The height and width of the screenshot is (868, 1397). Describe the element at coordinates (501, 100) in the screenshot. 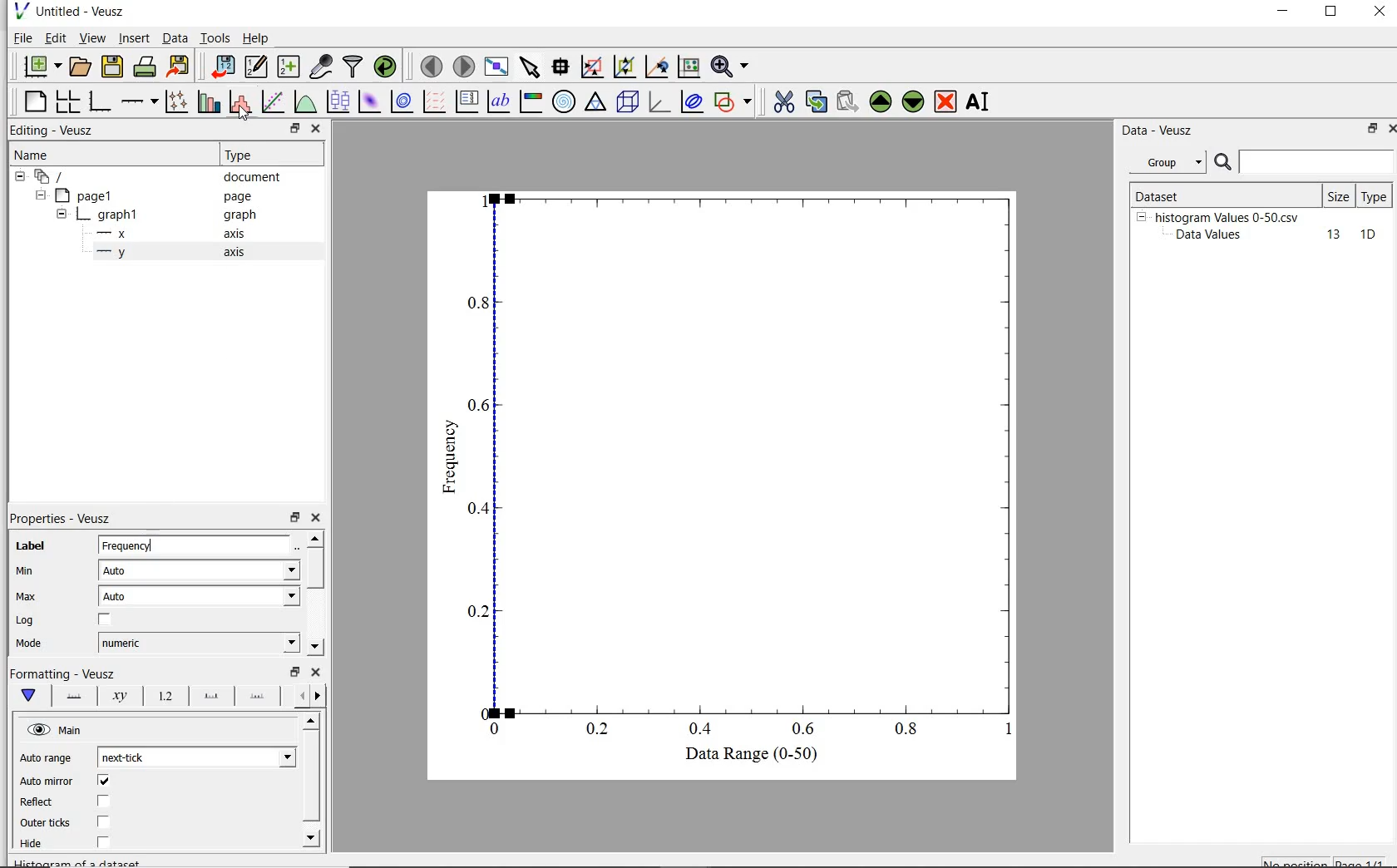

I see `text label` at that location.